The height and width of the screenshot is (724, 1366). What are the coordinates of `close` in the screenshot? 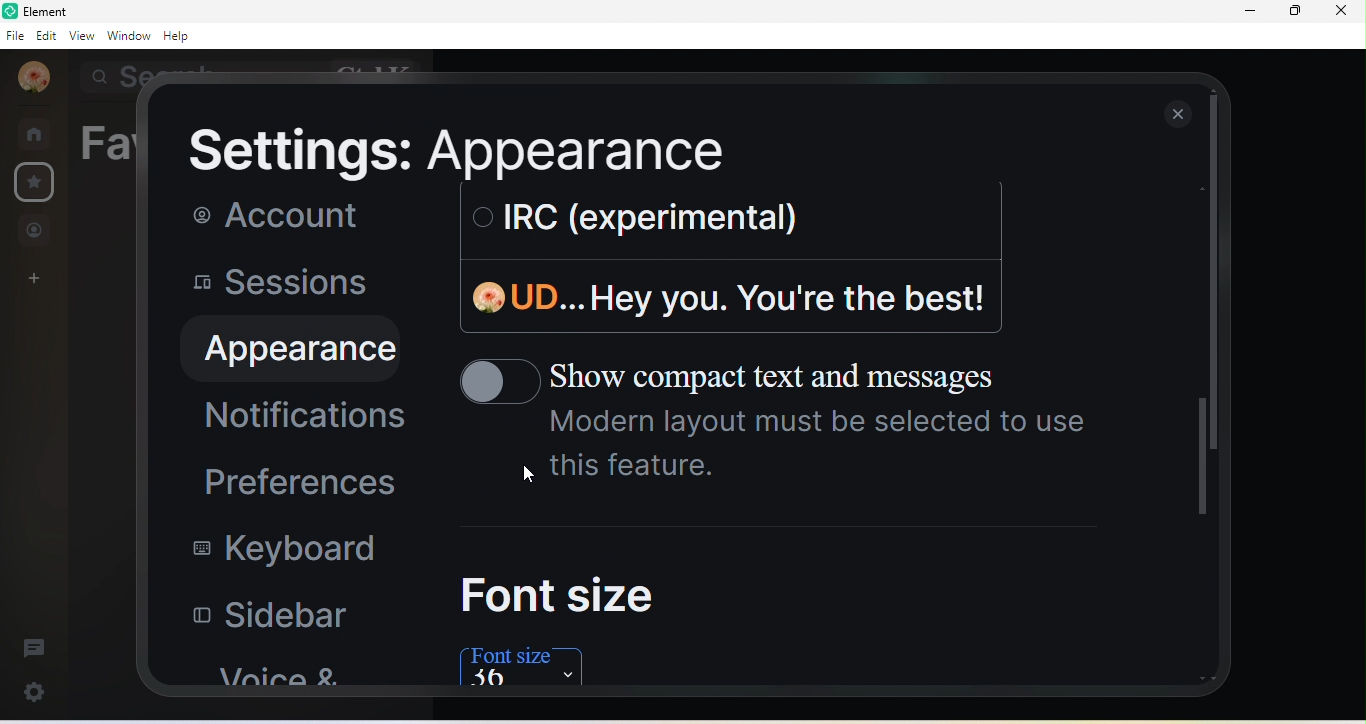 It's located at (1181, 113).